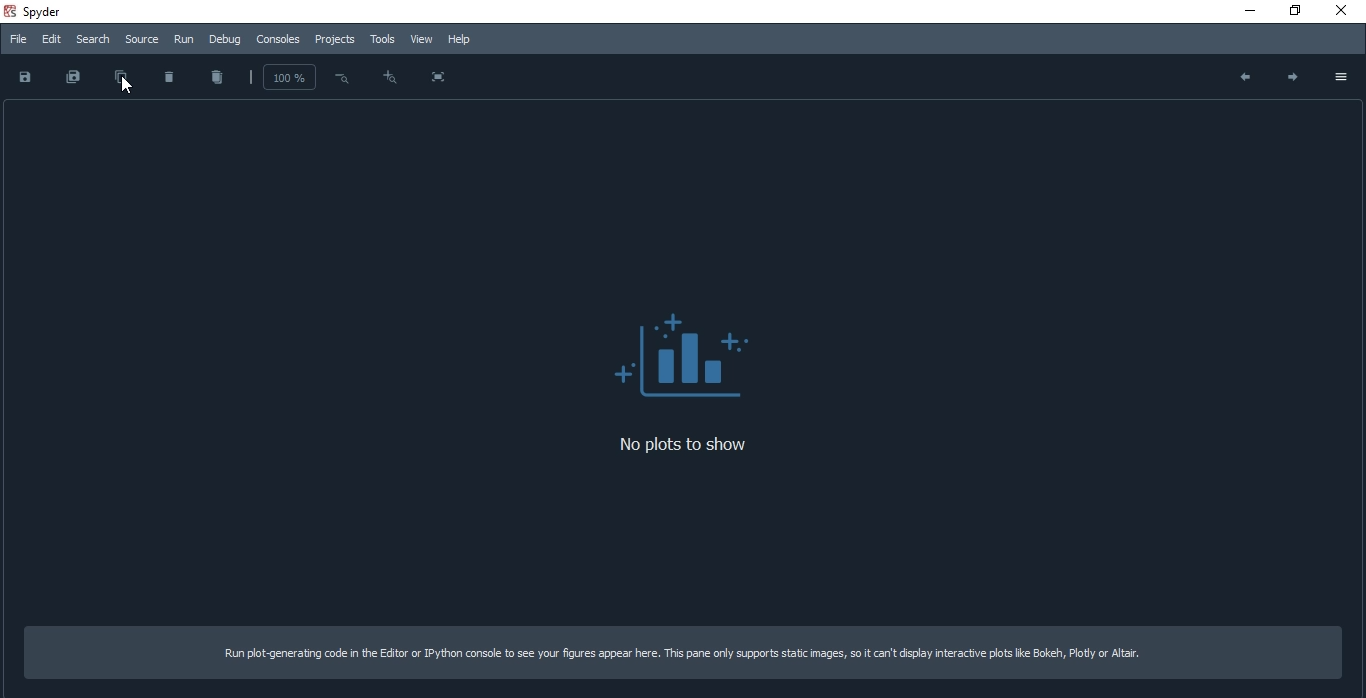 This screenshot has height=698, width=1366. What do you see at coordinates (216, 76) in the screenshot?
I see `delete all` at bounding box center [216, 76].